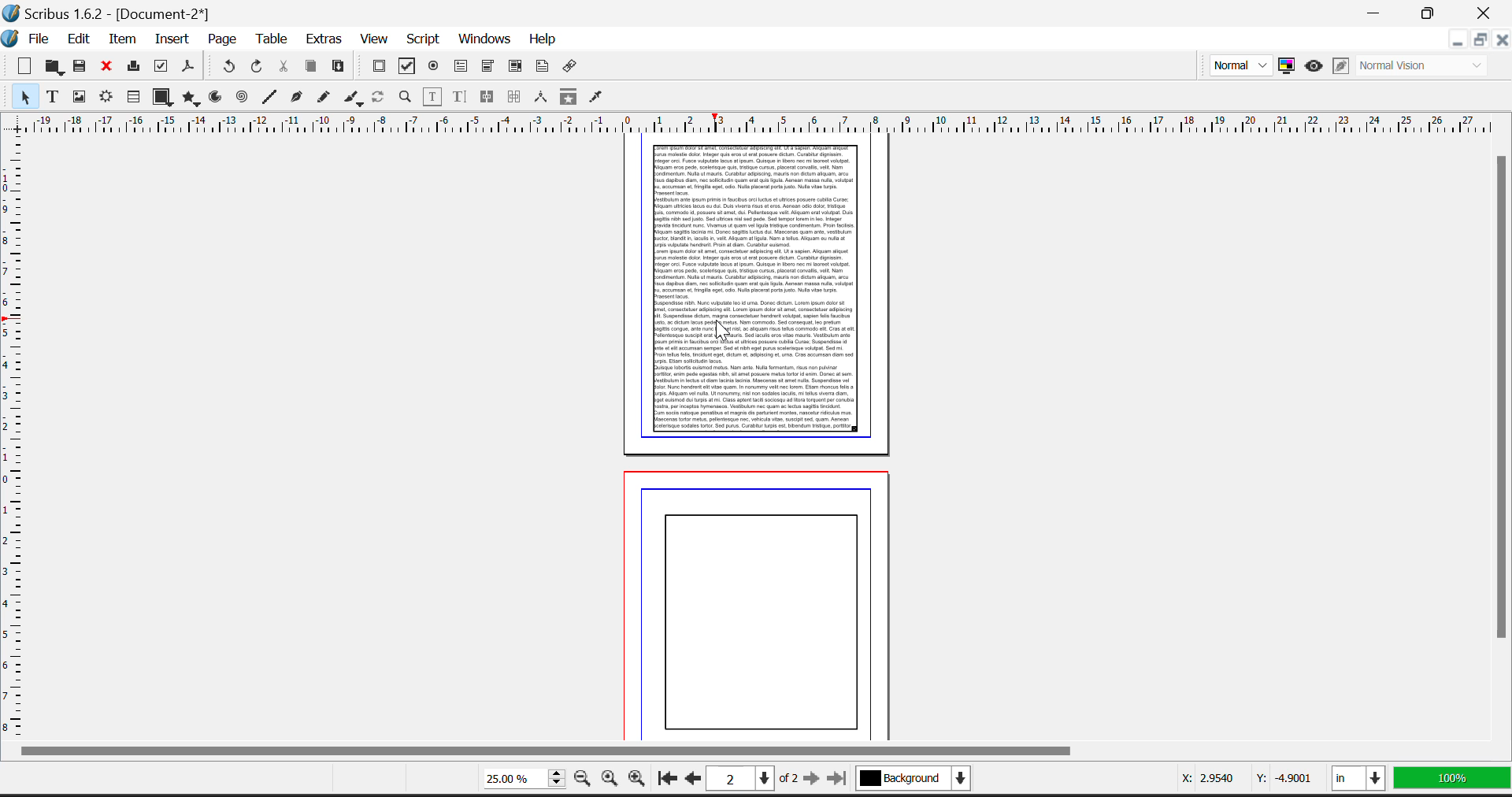 The height and width of the screenshot is (797, 1512). I want to click on PDF List Box, so click(516, 67).